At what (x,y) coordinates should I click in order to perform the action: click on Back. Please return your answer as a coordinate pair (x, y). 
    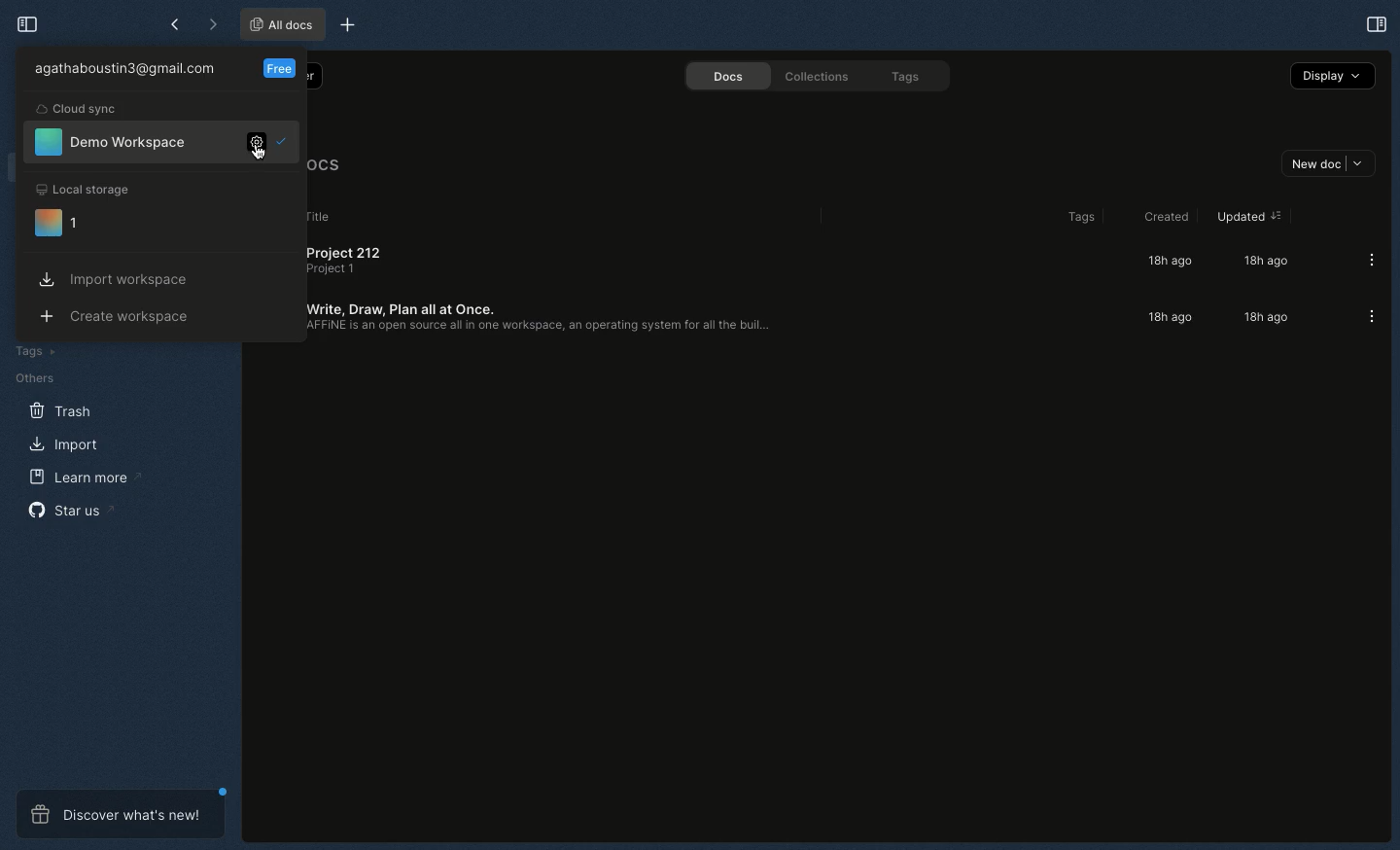
    Looking at the image, I should click on (174, 23).